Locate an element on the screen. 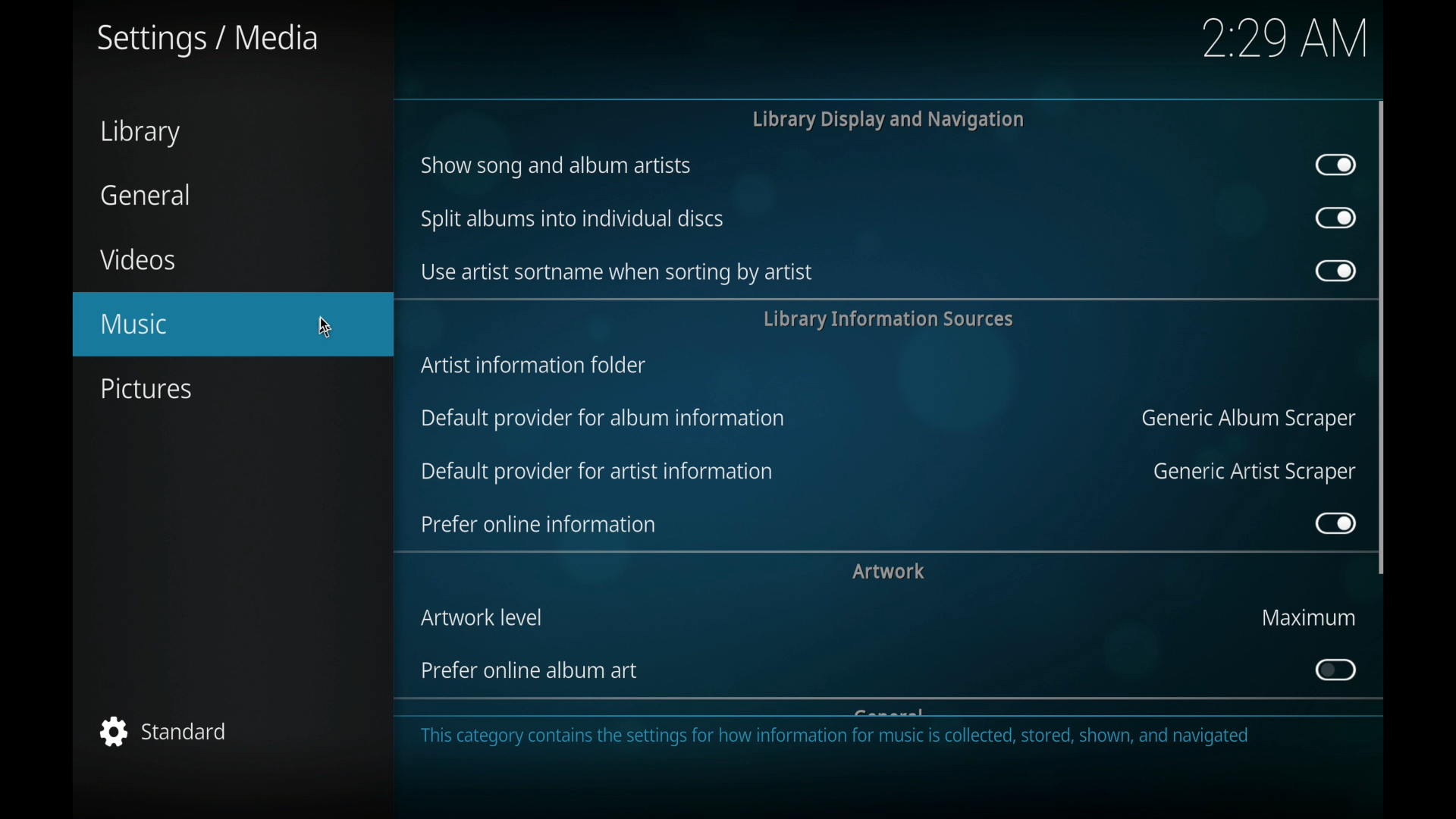 The width and height of the screenshot is (1456, 819). cursor is located at coordinates (334, 328).